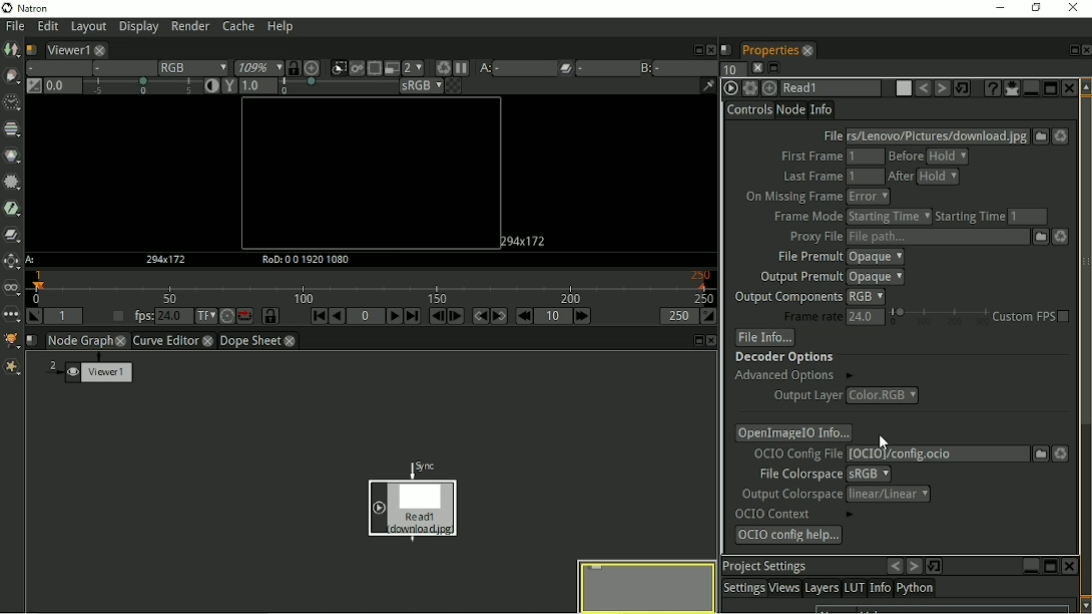 This screenshot has width=1092, height=614. I want to click on restore, so click(1049, 564).